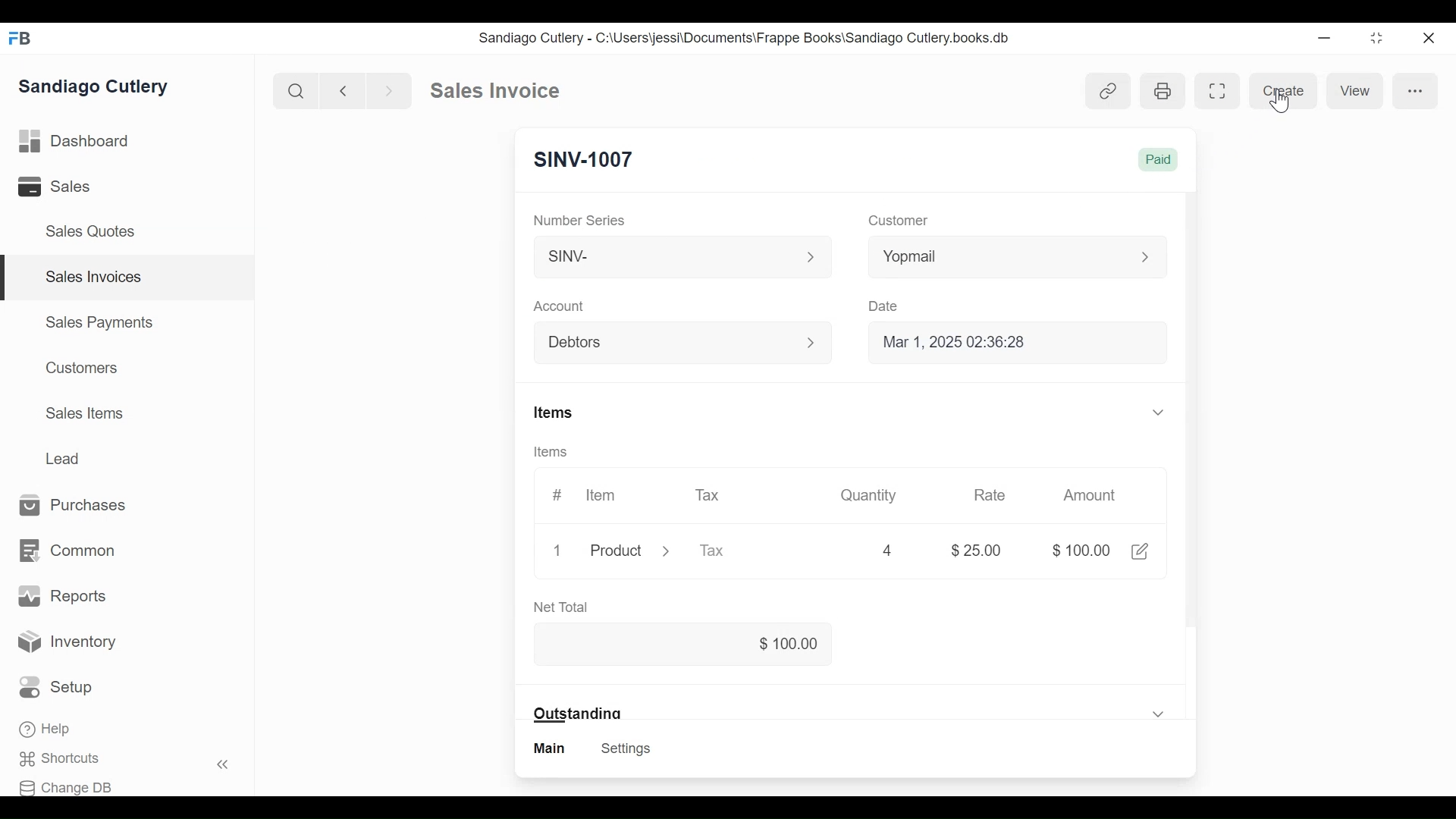  I want to click on Reports, so click(60, 595).